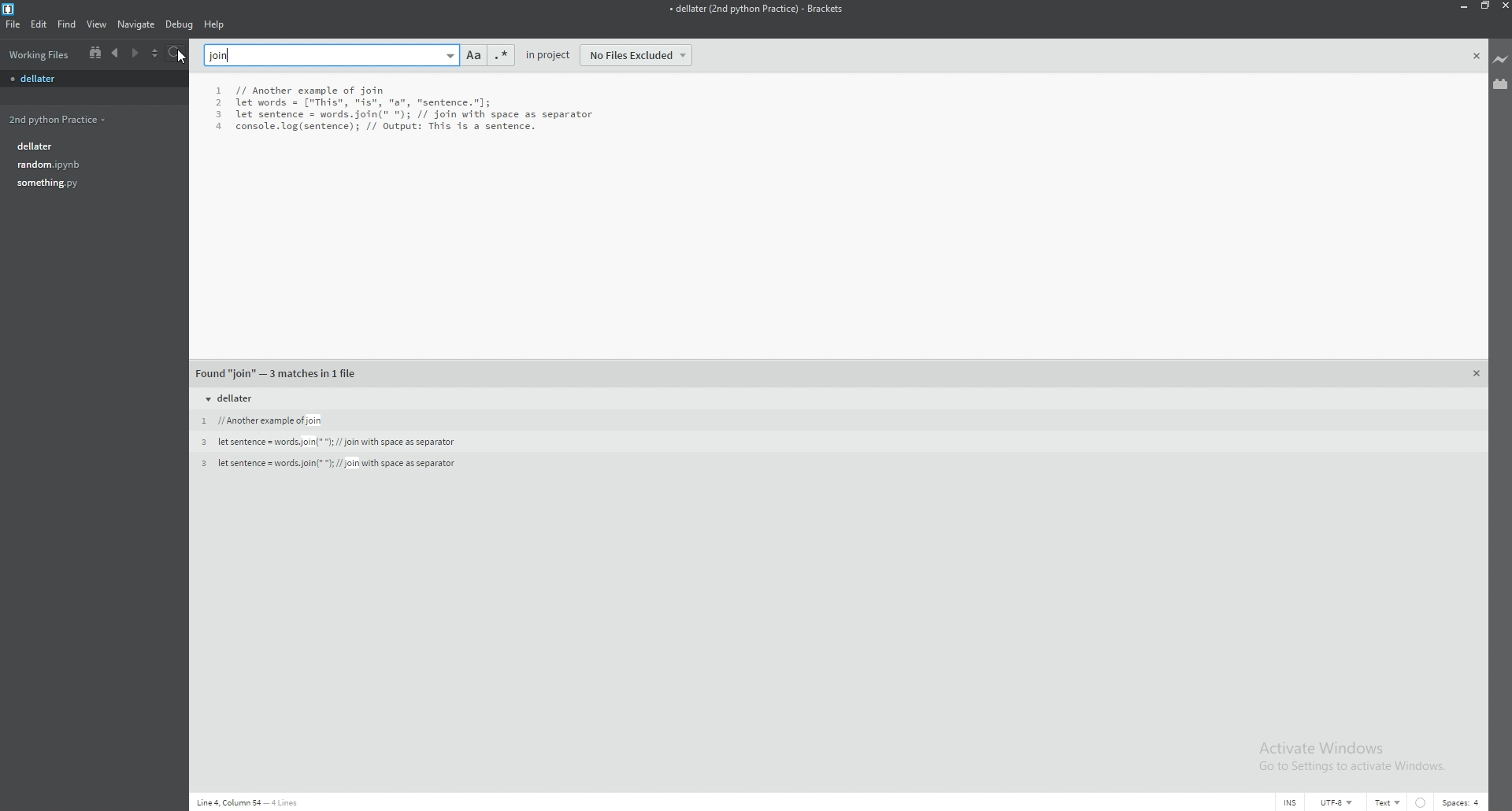 The height and width of the screenshot is (811, 1512). What do you see at coordinates (94, 54) in the screenshot?
I see `split view` at bounding box center [94, 54].